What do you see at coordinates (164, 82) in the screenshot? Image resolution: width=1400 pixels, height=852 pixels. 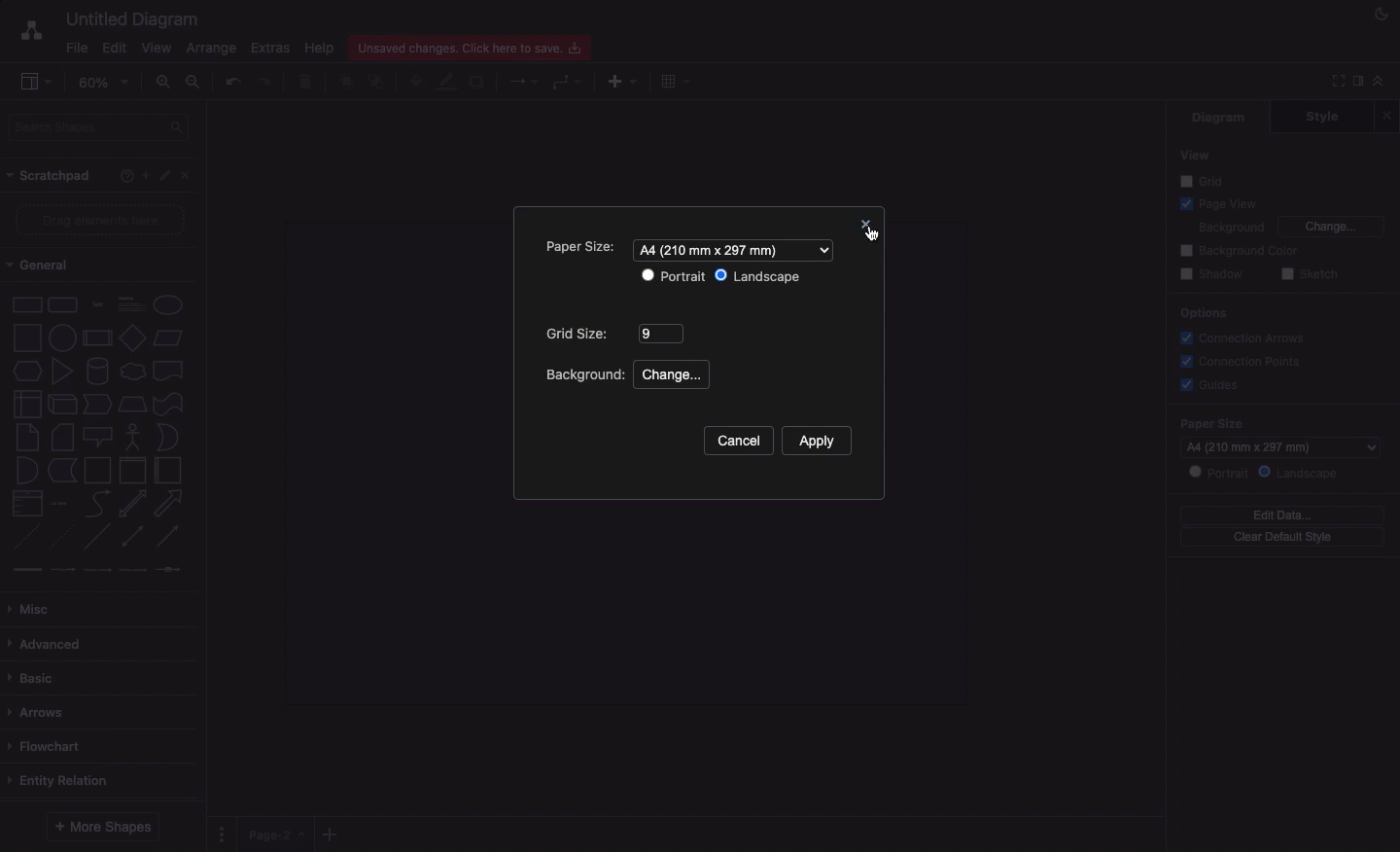 I see `Zoom in` at bounding box center [164, 82].